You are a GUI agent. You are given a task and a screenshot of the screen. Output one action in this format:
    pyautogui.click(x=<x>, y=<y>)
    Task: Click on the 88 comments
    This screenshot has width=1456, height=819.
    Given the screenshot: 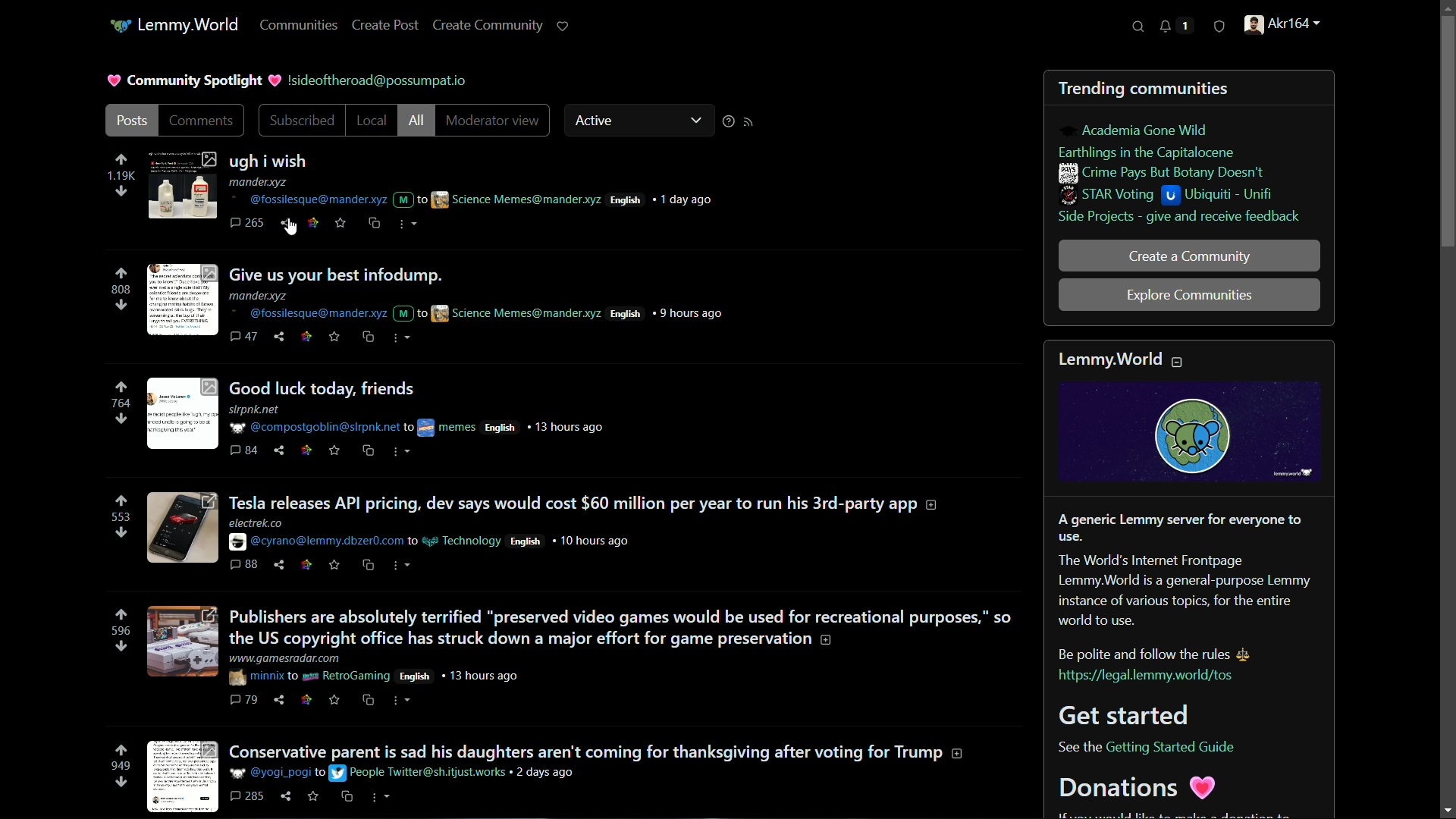 What is the action you would take?
    pyautogui.click(x=243, y=565)
    